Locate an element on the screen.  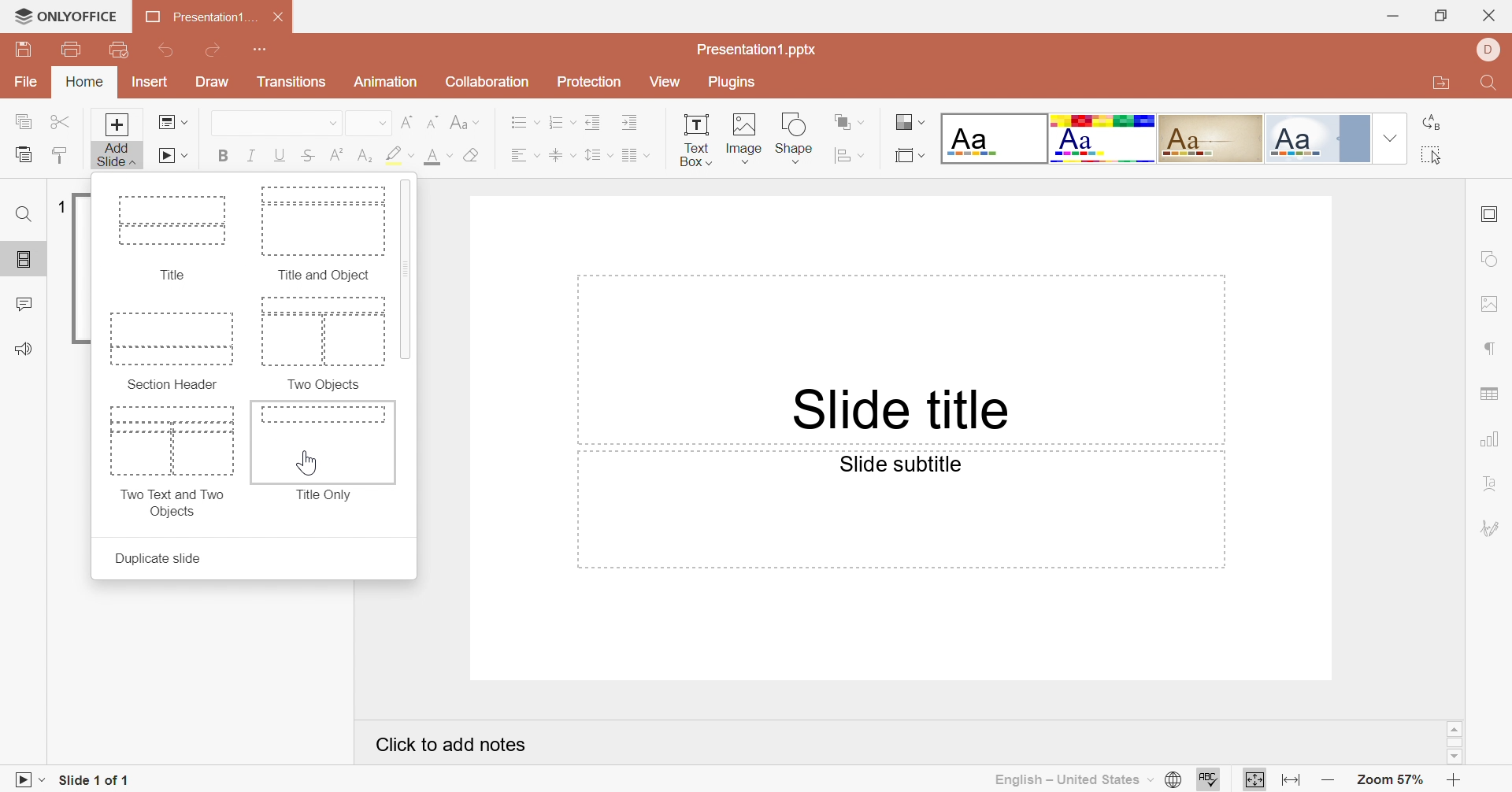
Font color is located at coordinates (439, 156).